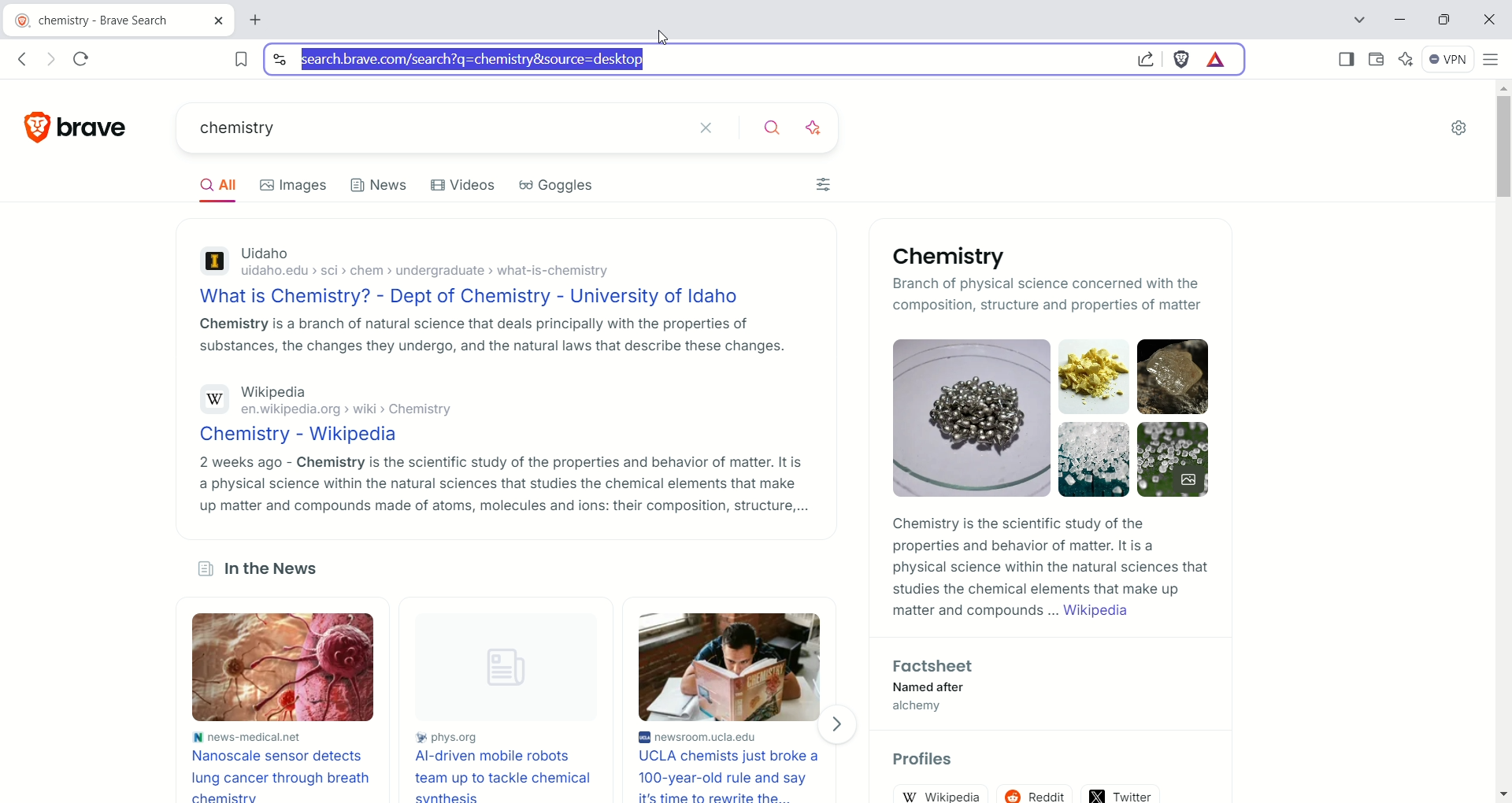 The height and width of the screenshot is (803, 1512). Describe the element at coordinates (1449, 60) in the screenshot. I see `VPN` at that location.